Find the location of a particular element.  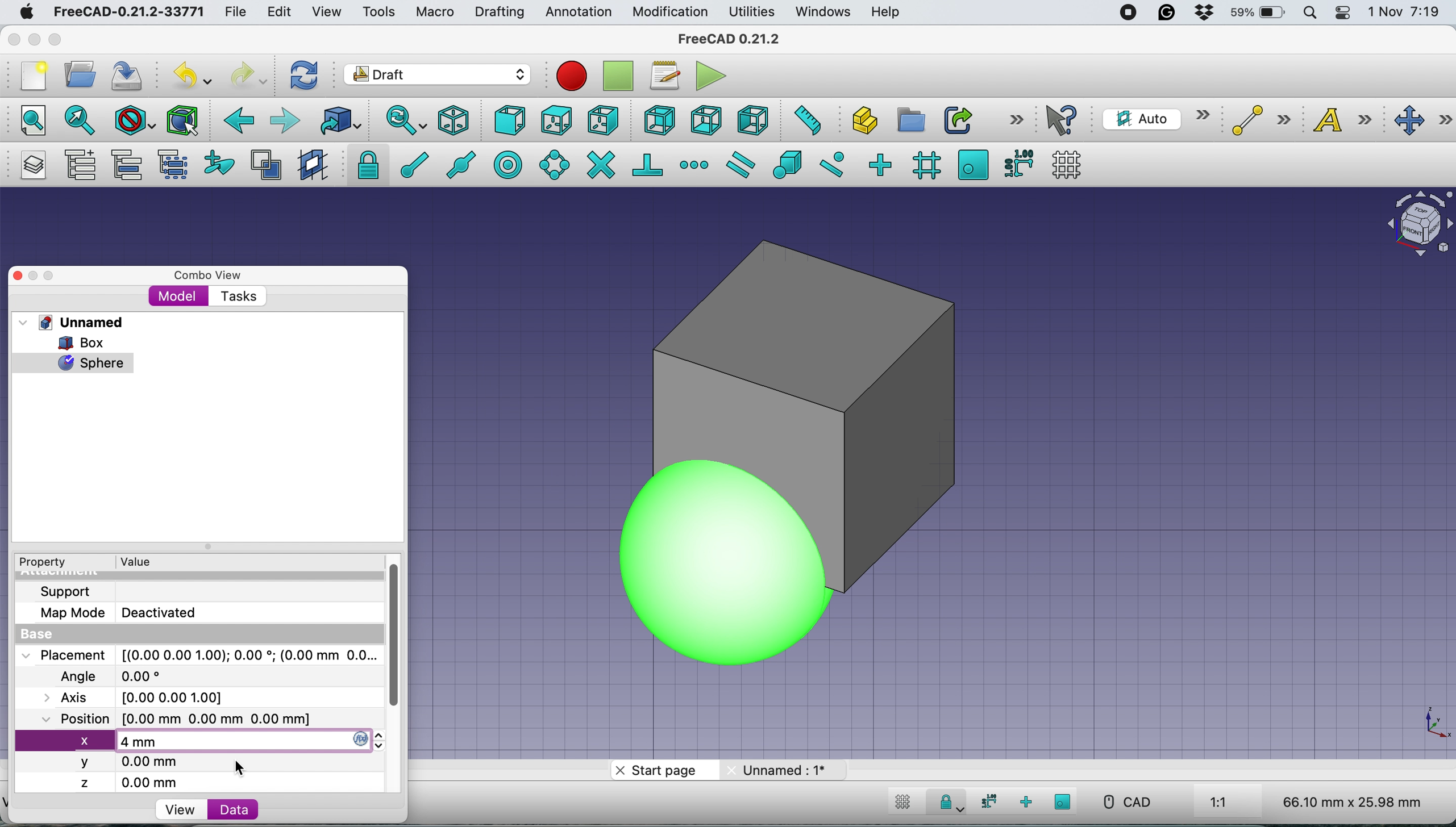

Position [4.00 mm 0.00 mm 0.00 mm] is located at coordinates (177, 720).